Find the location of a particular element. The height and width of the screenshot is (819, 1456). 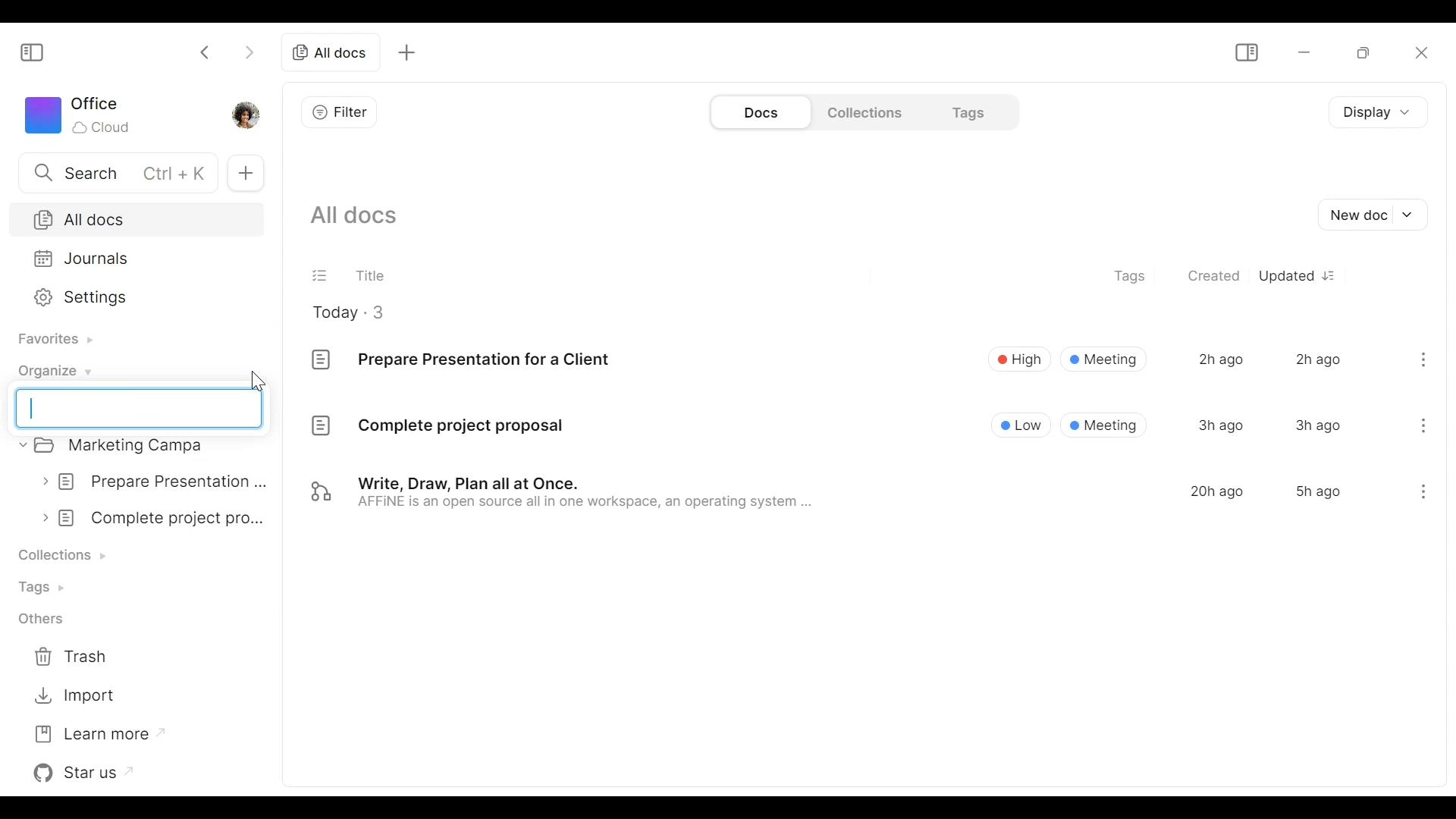

Prepare Presentation for a Client is located at coordinates (460, 358).